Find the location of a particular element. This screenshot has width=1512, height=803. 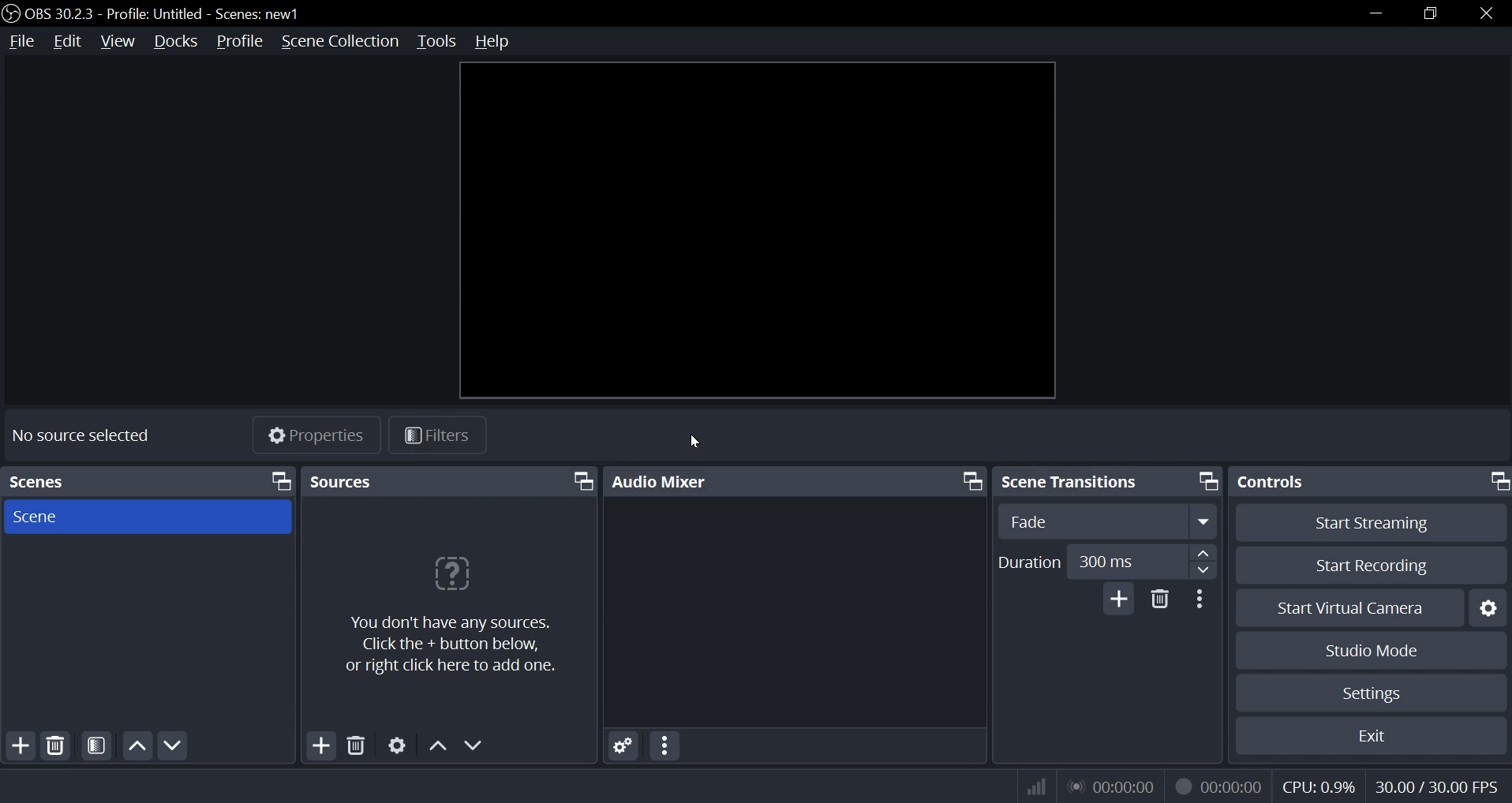

help is located at coordinates (500, 41).